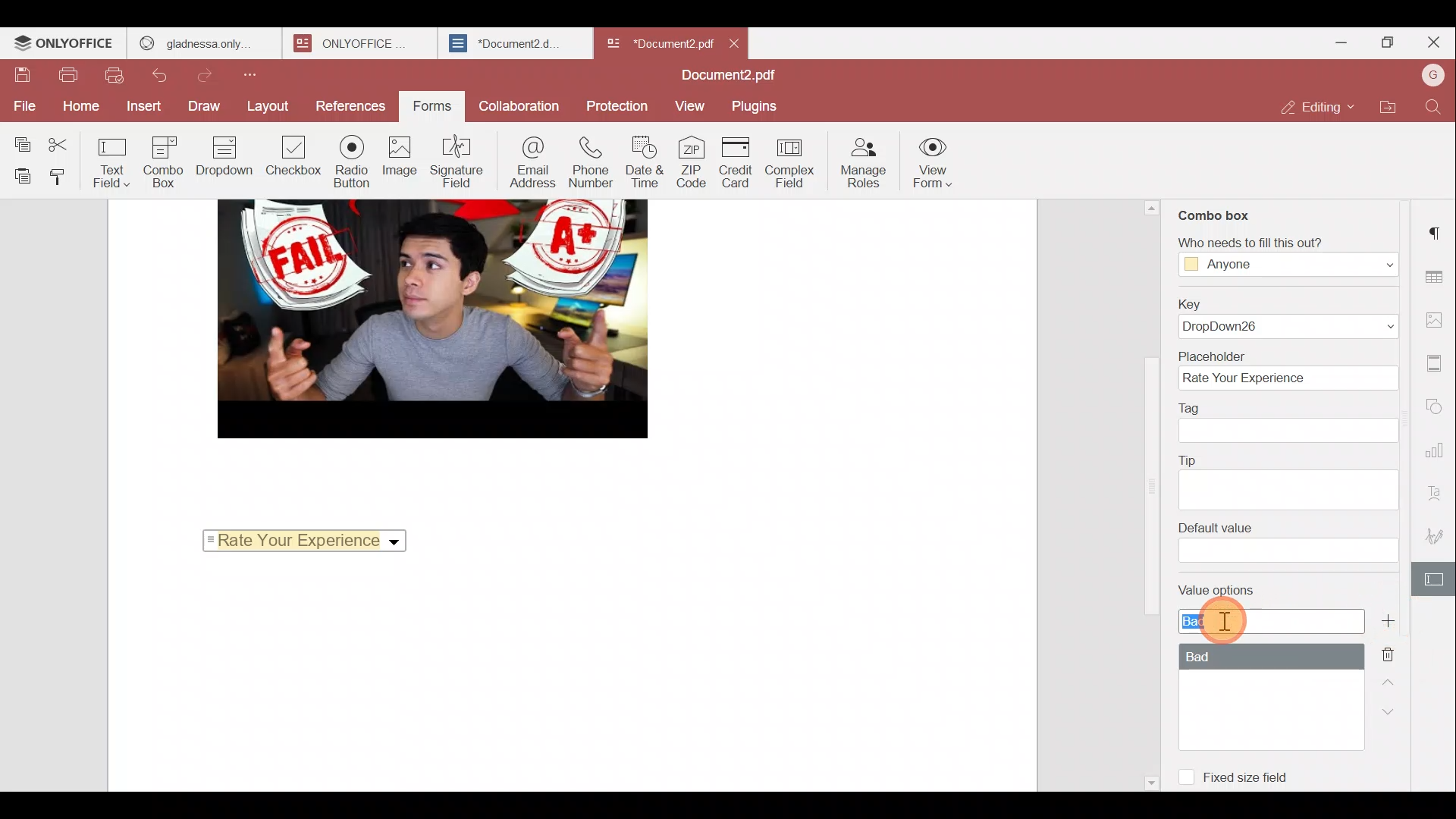  What do you see at coordinates (267, 108) in the screenshot?
I see `Layout` at bounding box center [267, 108].